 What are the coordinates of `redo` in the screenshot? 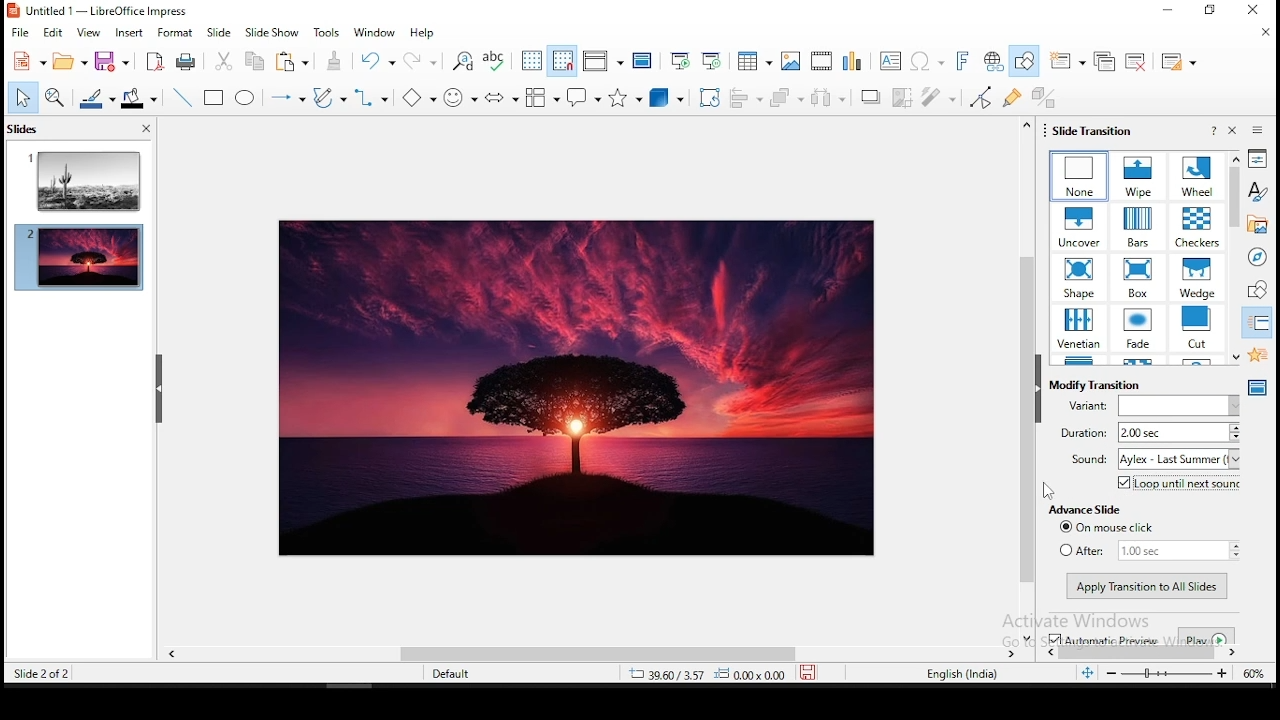 It's located at (423, 61).